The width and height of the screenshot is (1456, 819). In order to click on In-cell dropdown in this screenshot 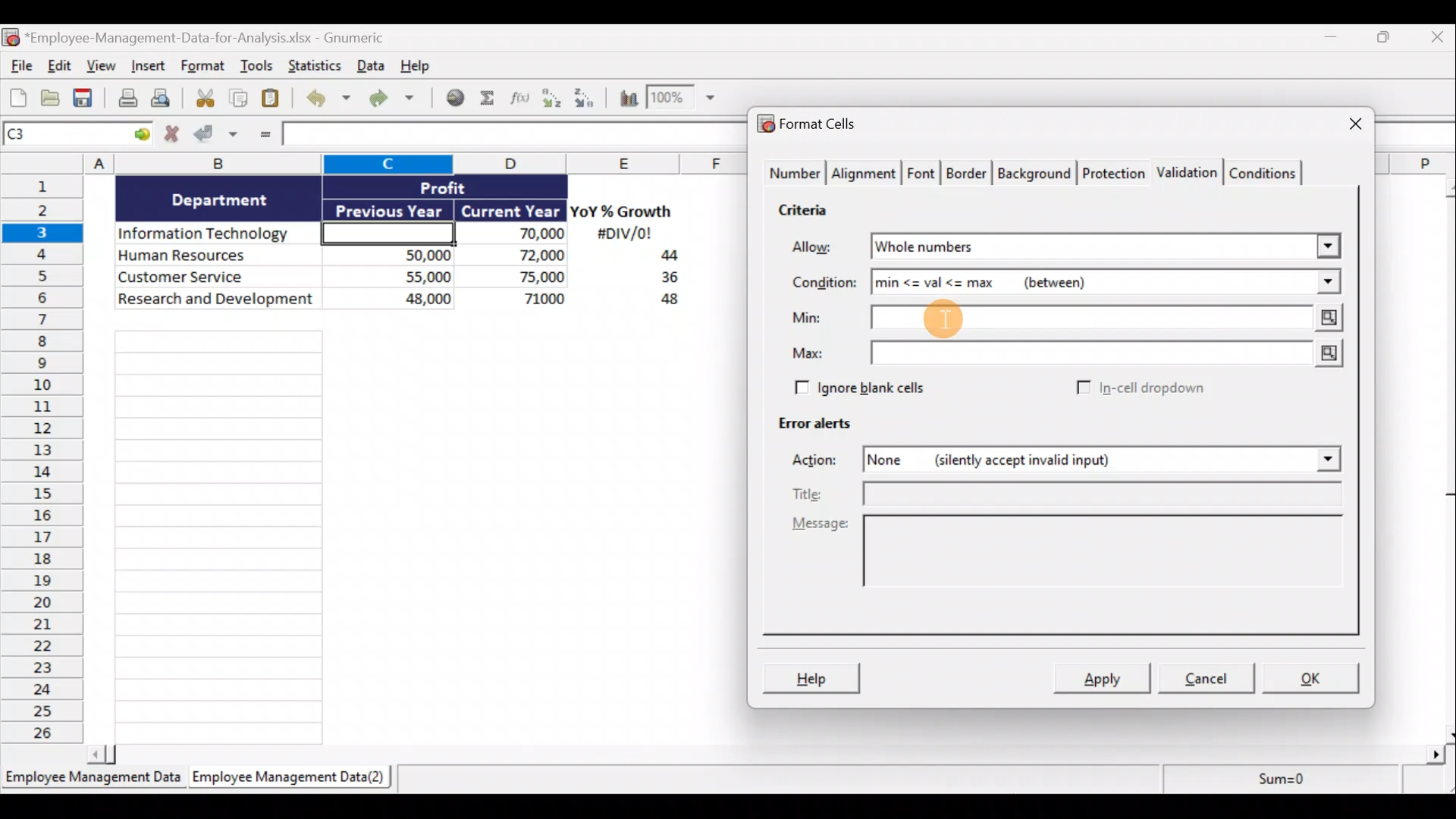, I will do `click(1139, 389)`.